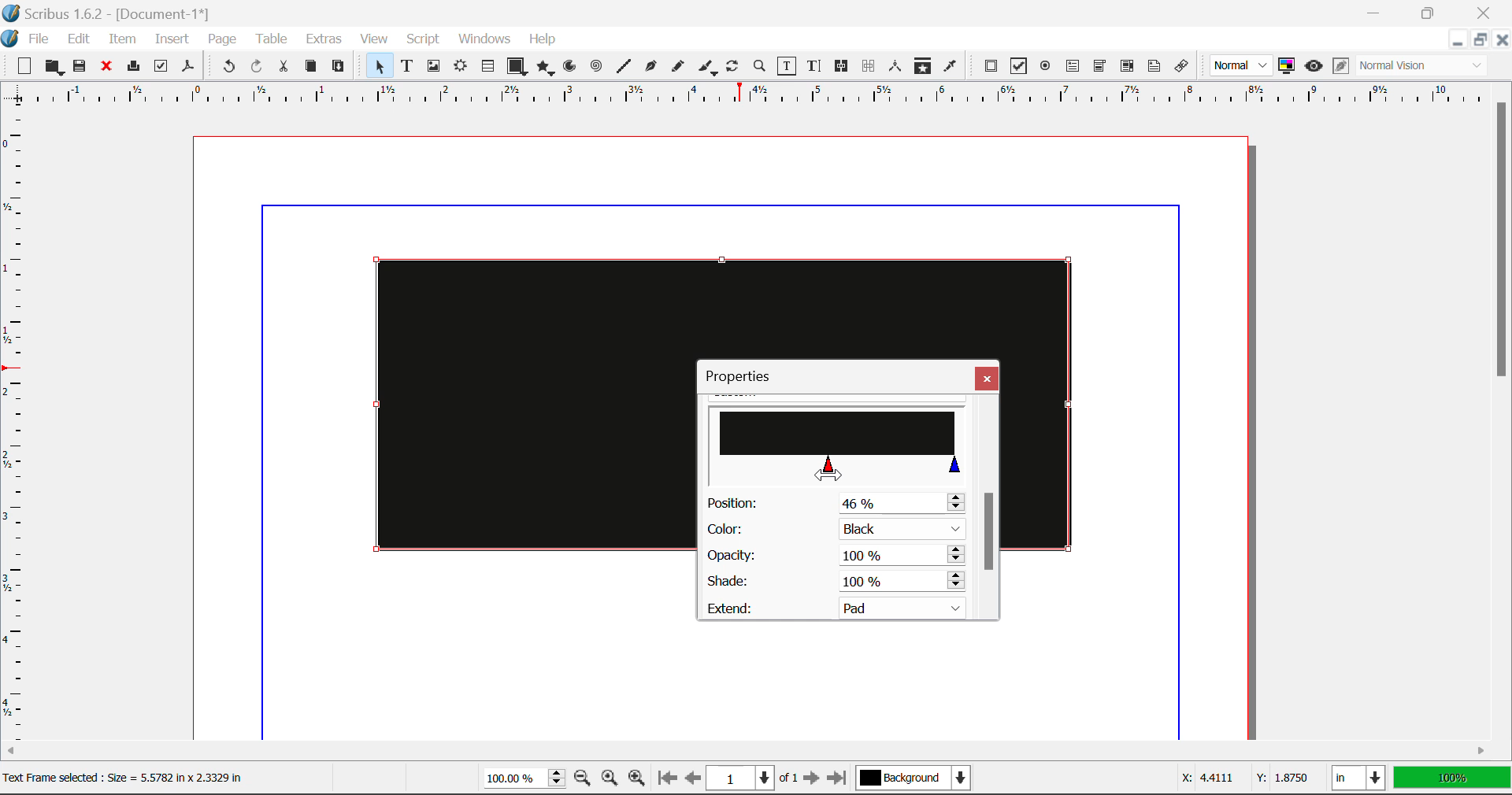 Image resolution: width=1512 pixels, height=795 pixels. I want to click on Toggle Color Management, so click(1287, 66).